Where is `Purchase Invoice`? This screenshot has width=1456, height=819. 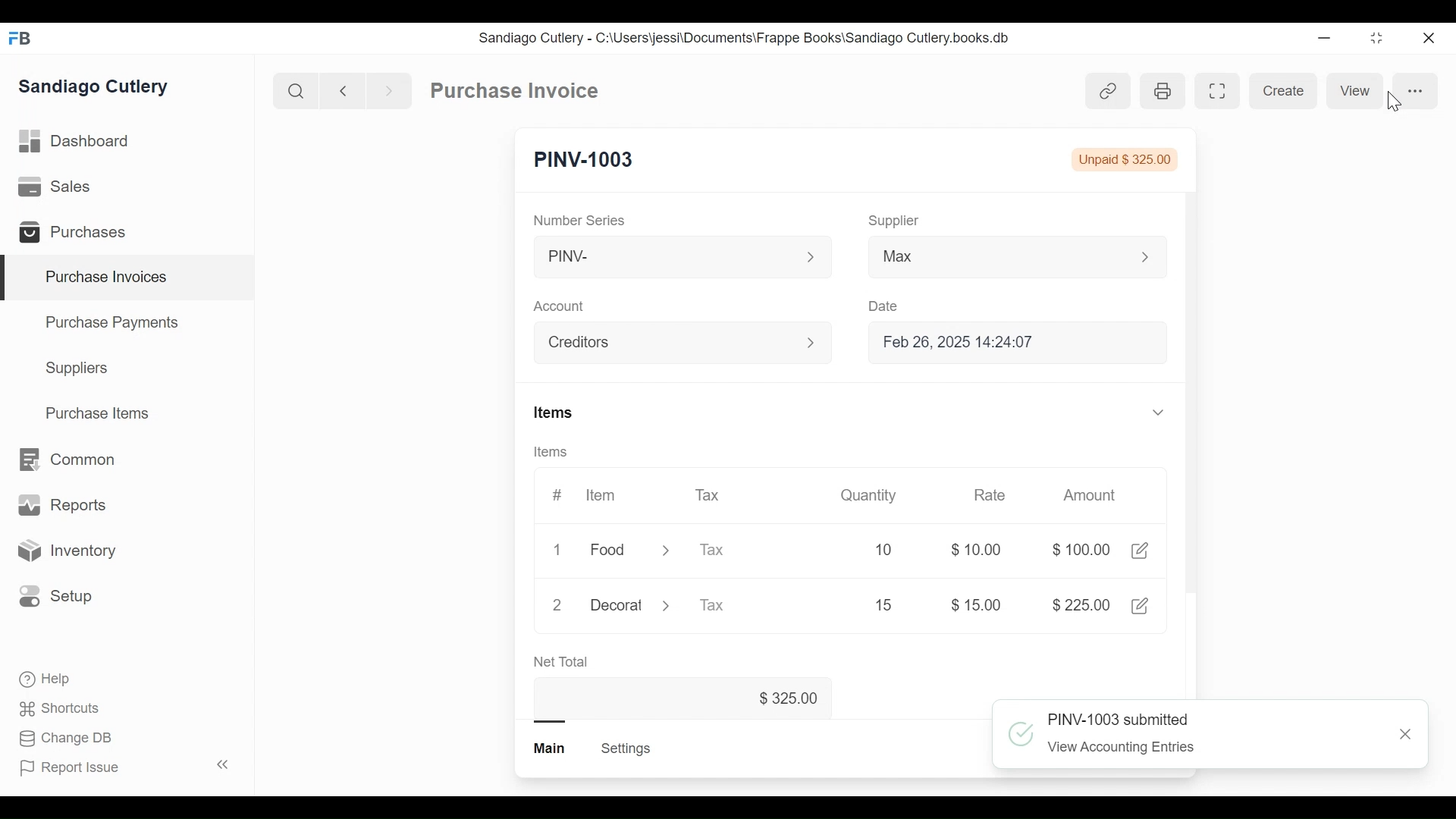 Purchase Invoice is located at coordinates (516, 91).